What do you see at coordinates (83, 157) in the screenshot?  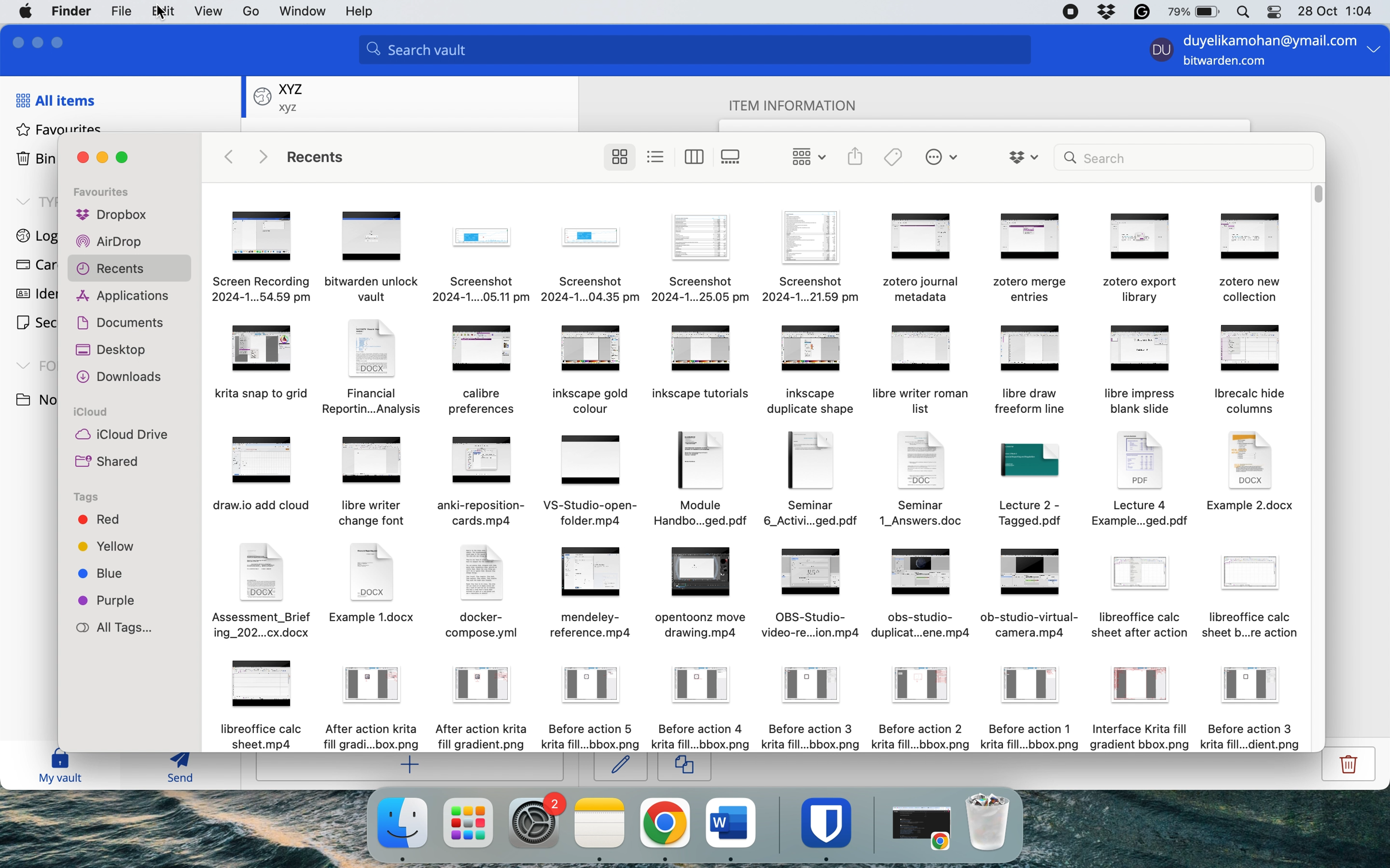 I see `close` at bounding box center [83, 157].